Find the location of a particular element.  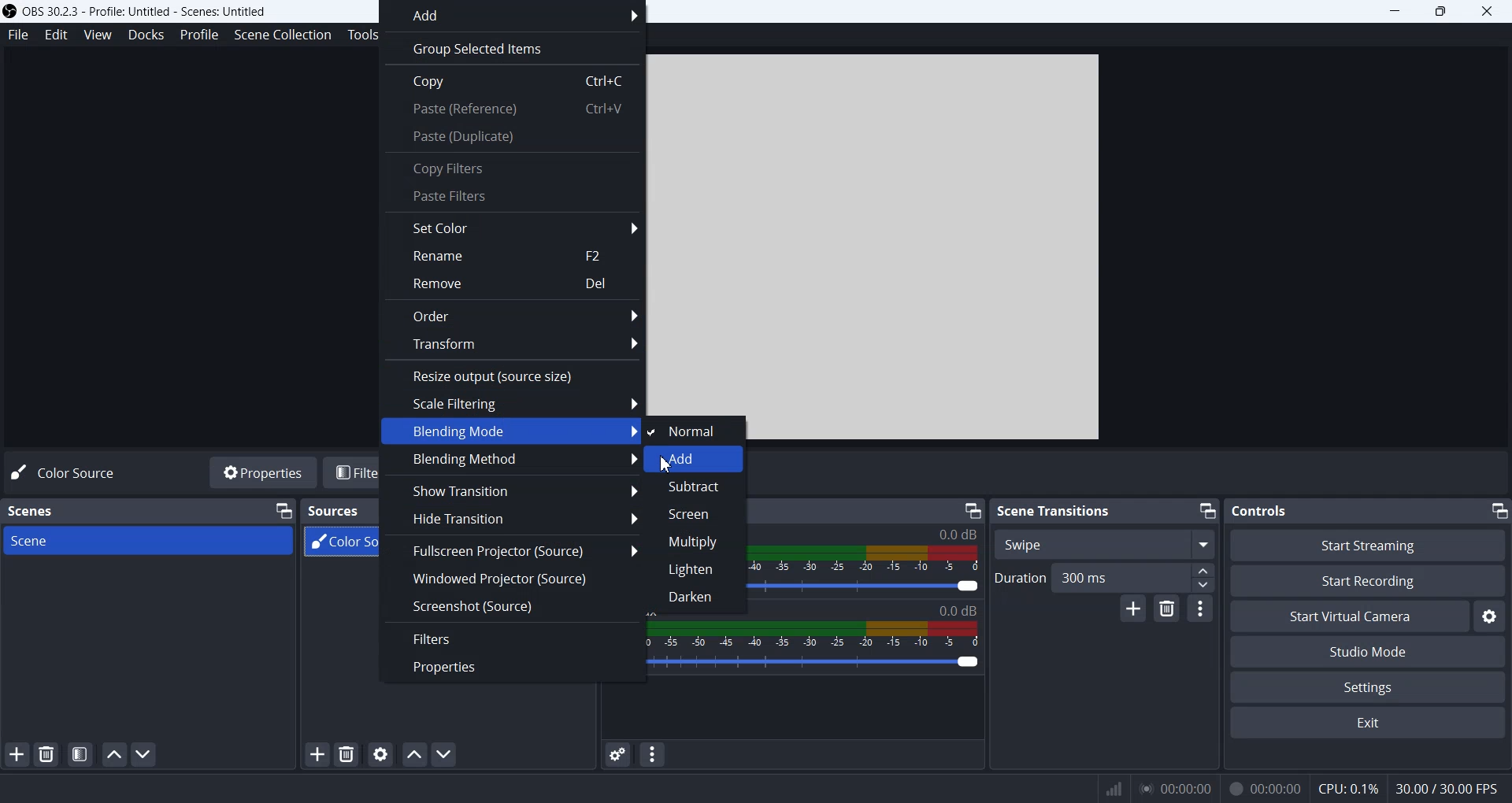

Add Scene is located at coordinates (17, 753).